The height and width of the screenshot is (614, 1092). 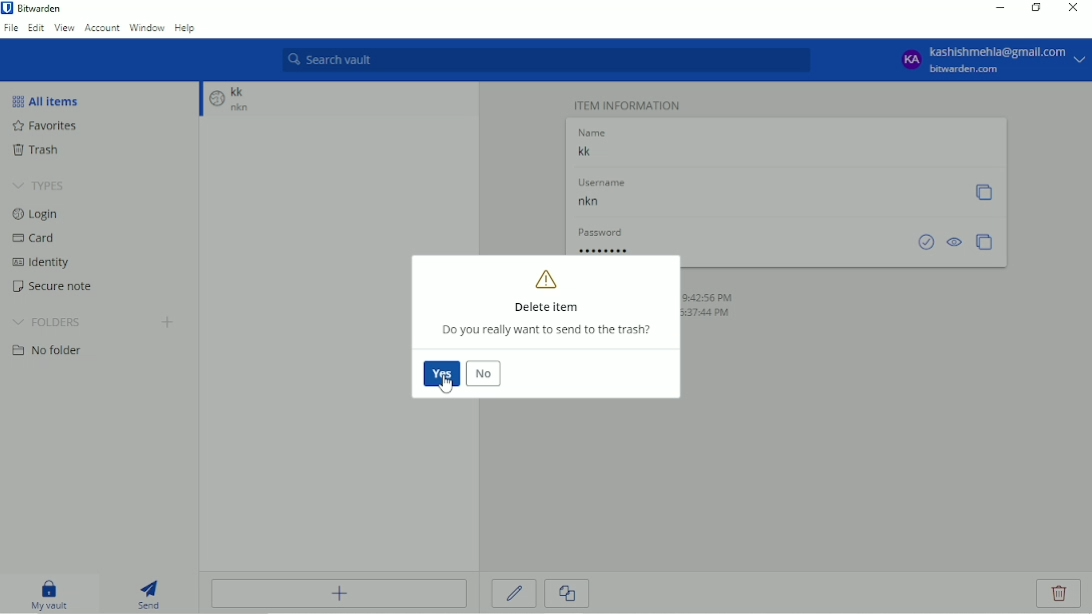 What do you see at coordinates (1081, 60) in the screenshot?
I see `more` at bounding box center [1081, 60].